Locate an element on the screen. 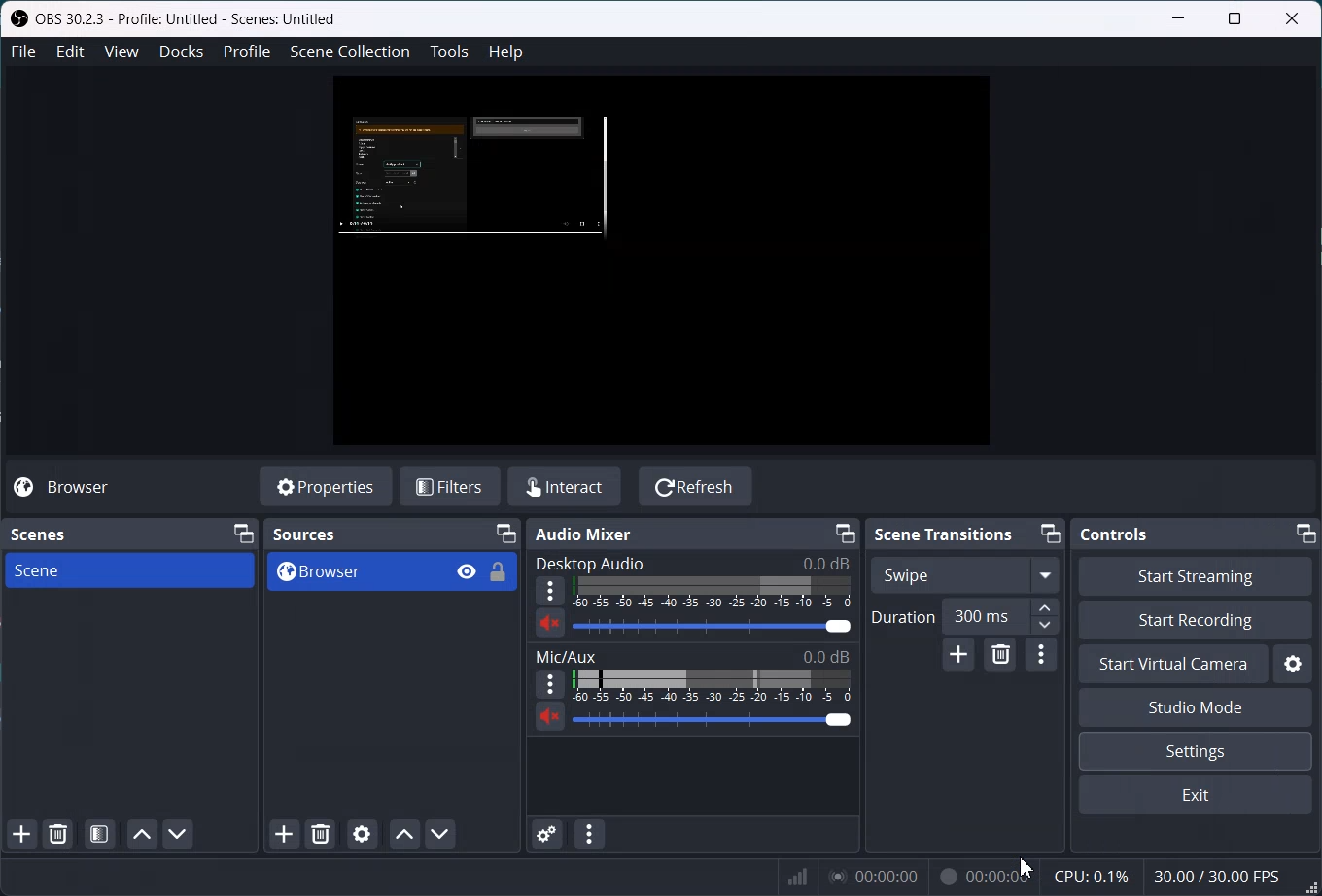 This screenshot has height=896, width=1322. Audio mixer menu is located at coordinates (590, 834).